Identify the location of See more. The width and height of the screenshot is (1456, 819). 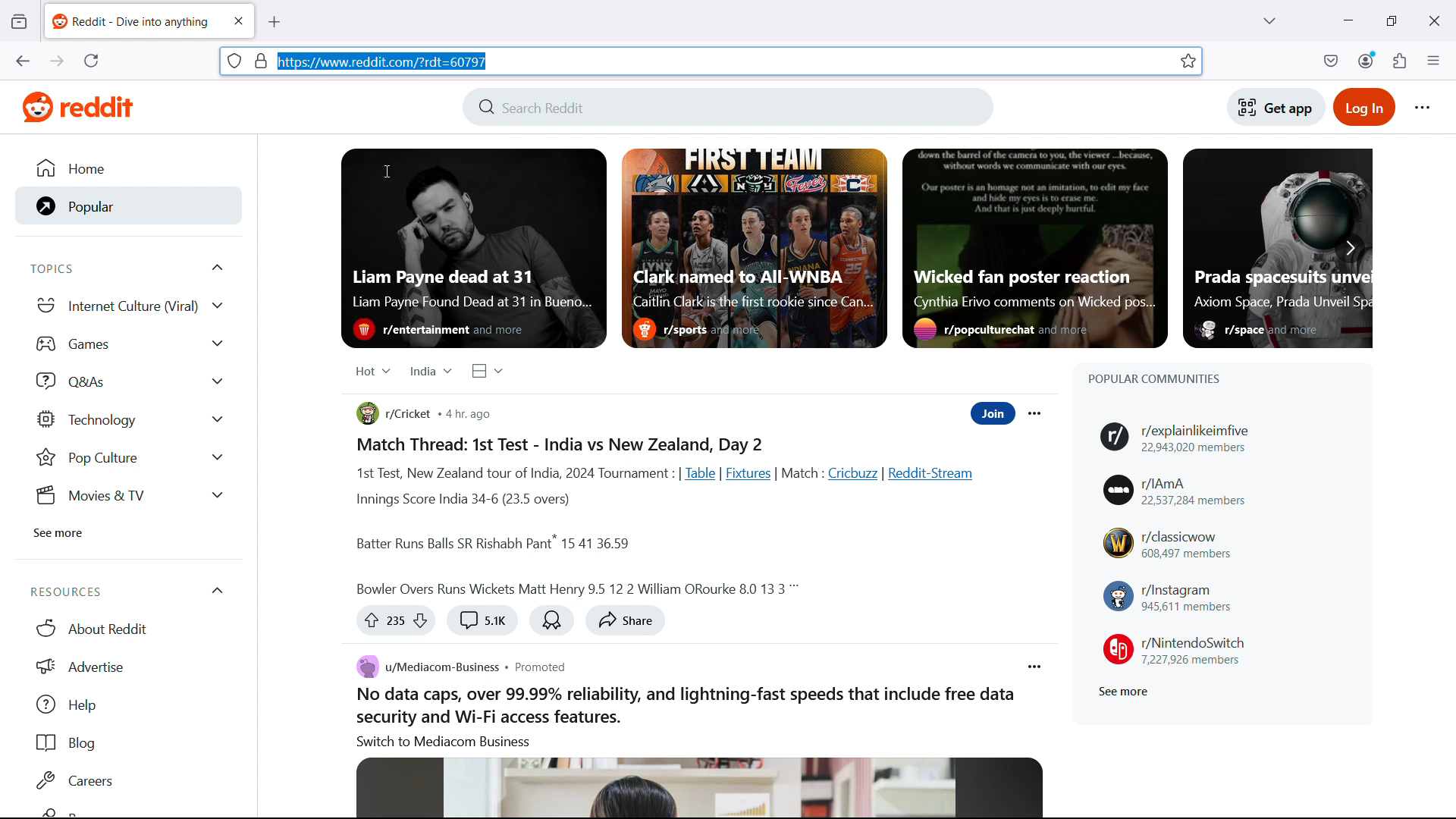
(1122, 692).